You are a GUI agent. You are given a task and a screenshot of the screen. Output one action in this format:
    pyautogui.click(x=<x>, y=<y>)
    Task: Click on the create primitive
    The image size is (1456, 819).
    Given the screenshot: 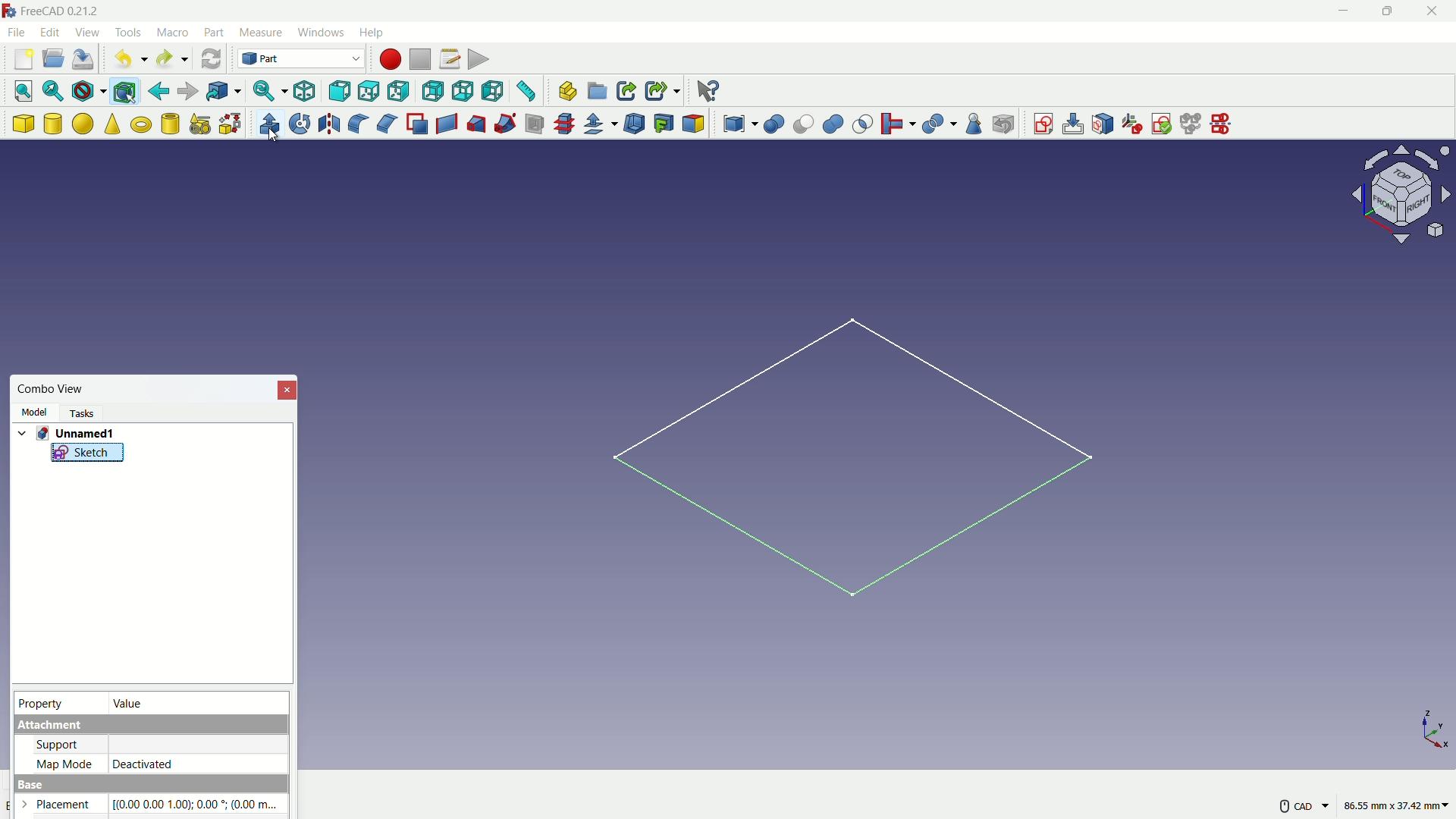 What is the action you would take?
    pyautogui.click(x=201, y=124)
    